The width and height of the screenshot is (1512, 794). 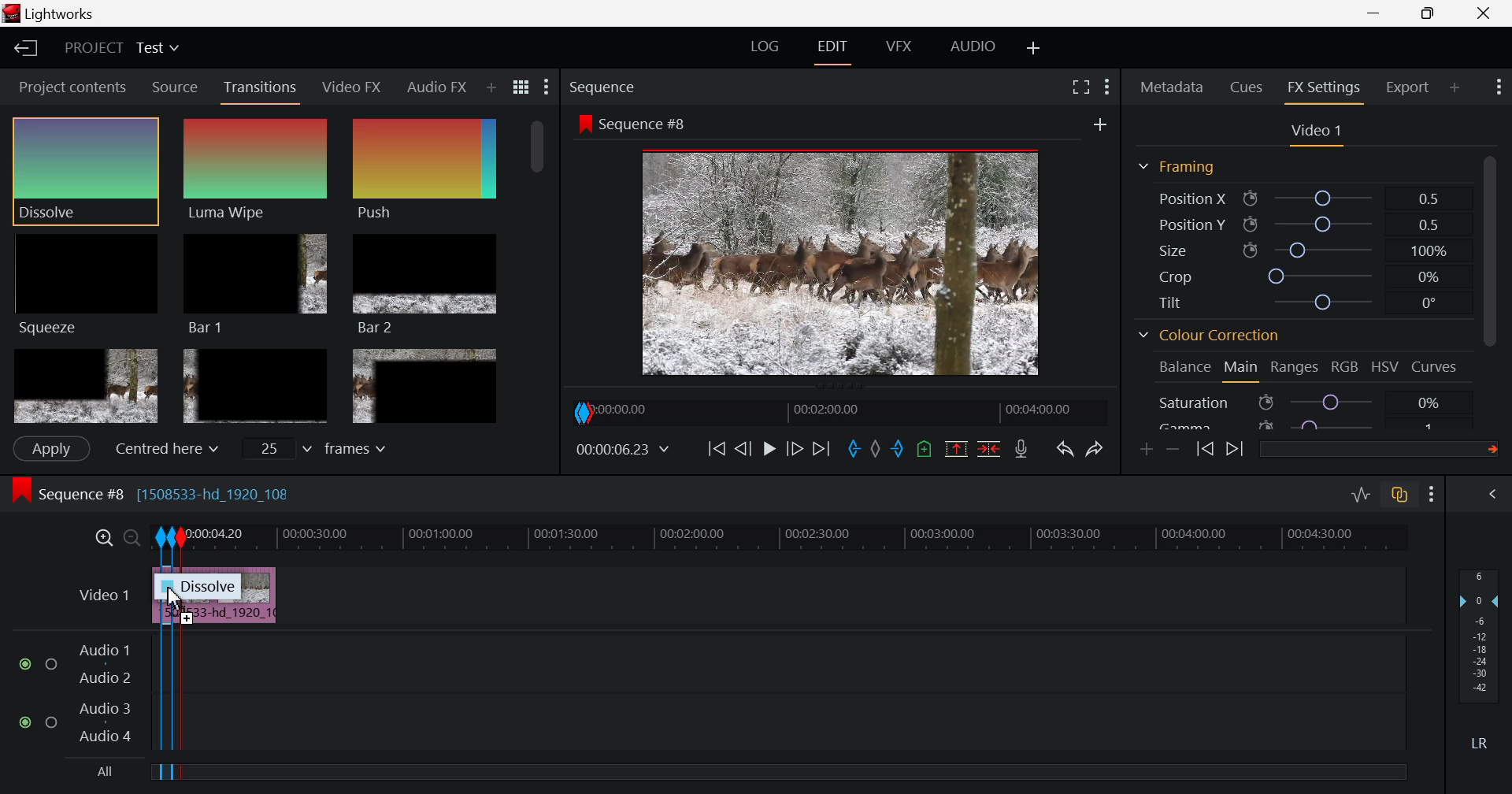 I want to click on Add Panel, so click(x=490, y=89).